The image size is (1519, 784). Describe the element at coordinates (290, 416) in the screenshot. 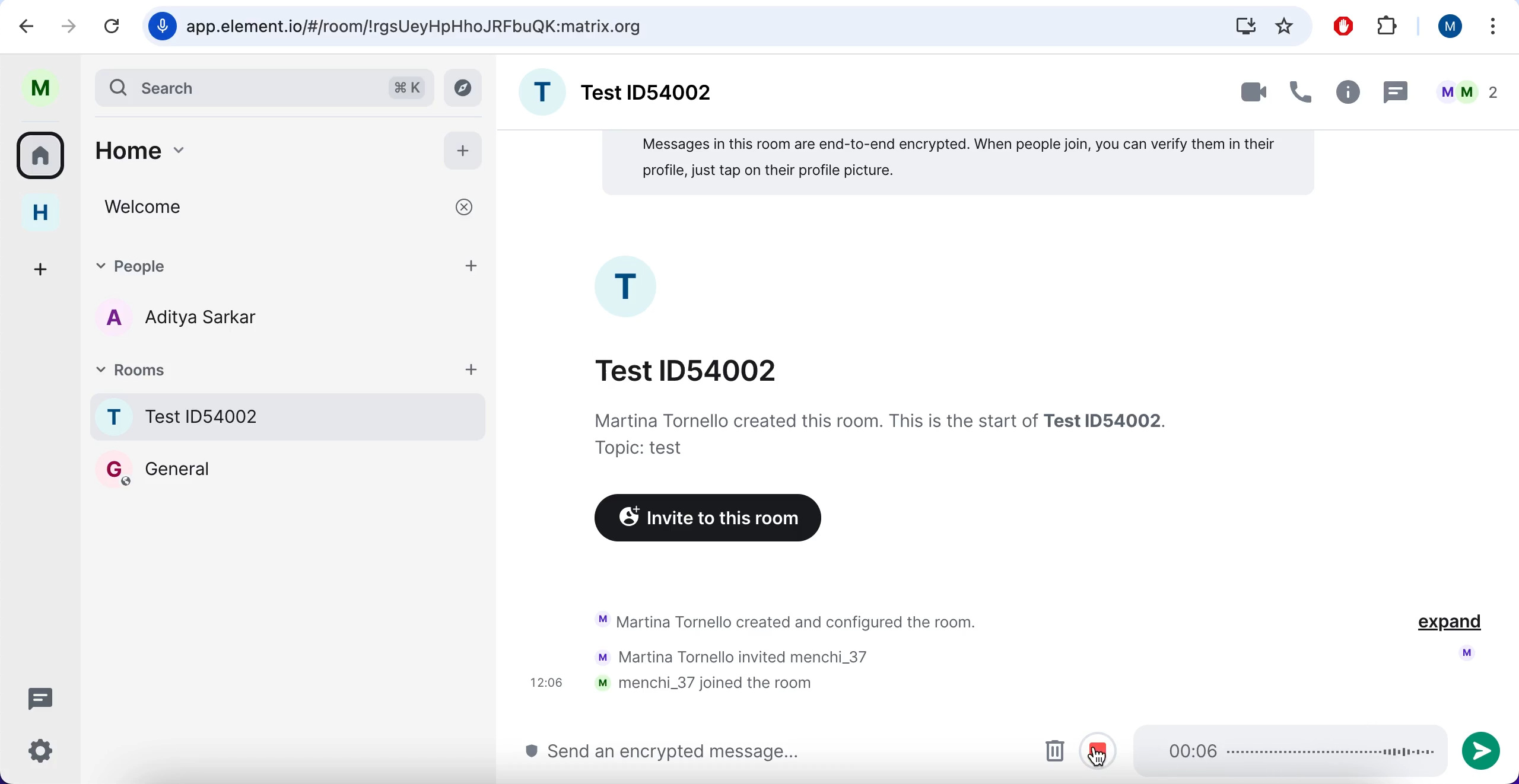

I see `room name` at that location.